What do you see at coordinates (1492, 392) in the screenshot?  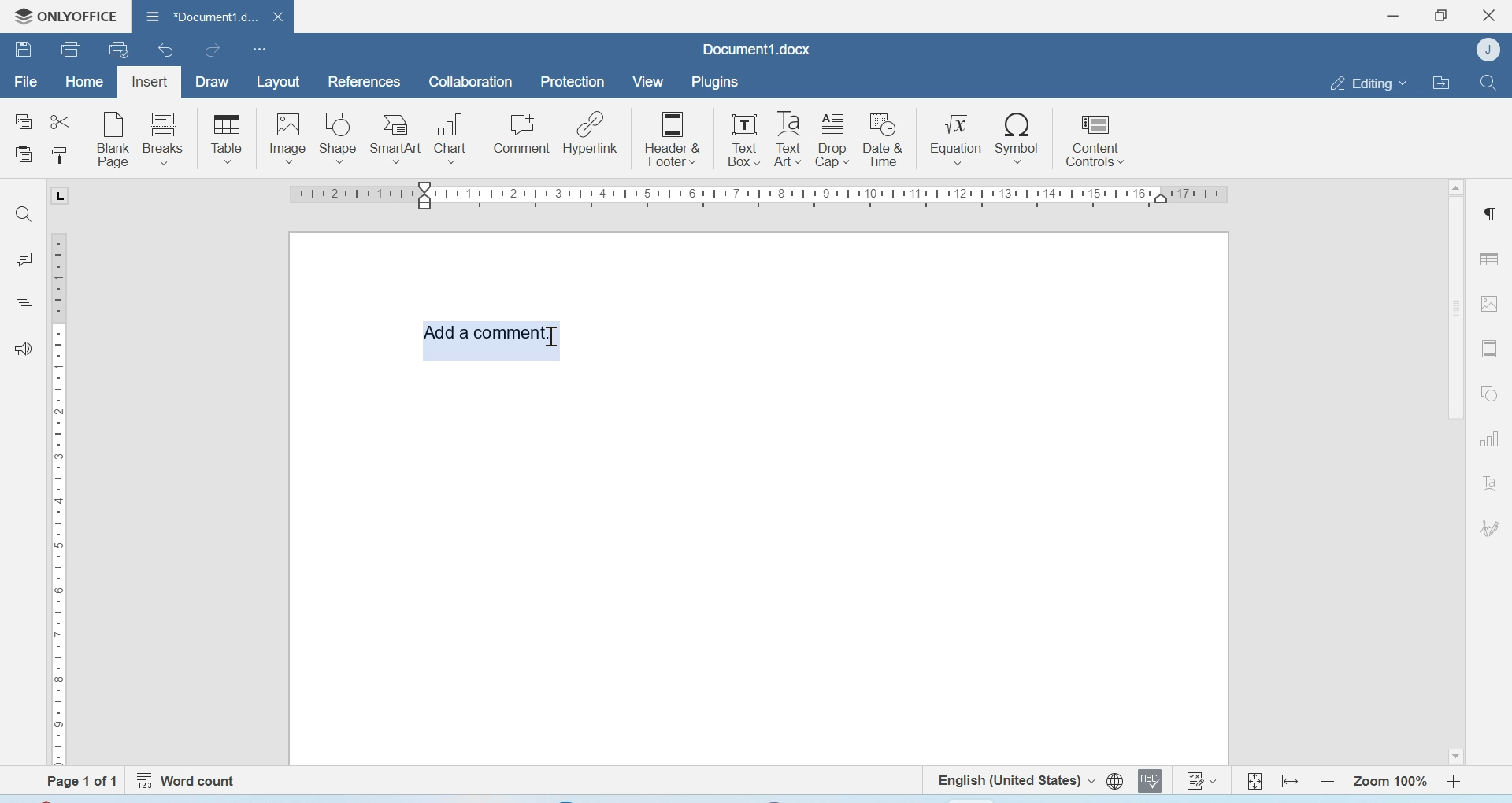 I see `Shapes` at bounding box center [1492, 392].